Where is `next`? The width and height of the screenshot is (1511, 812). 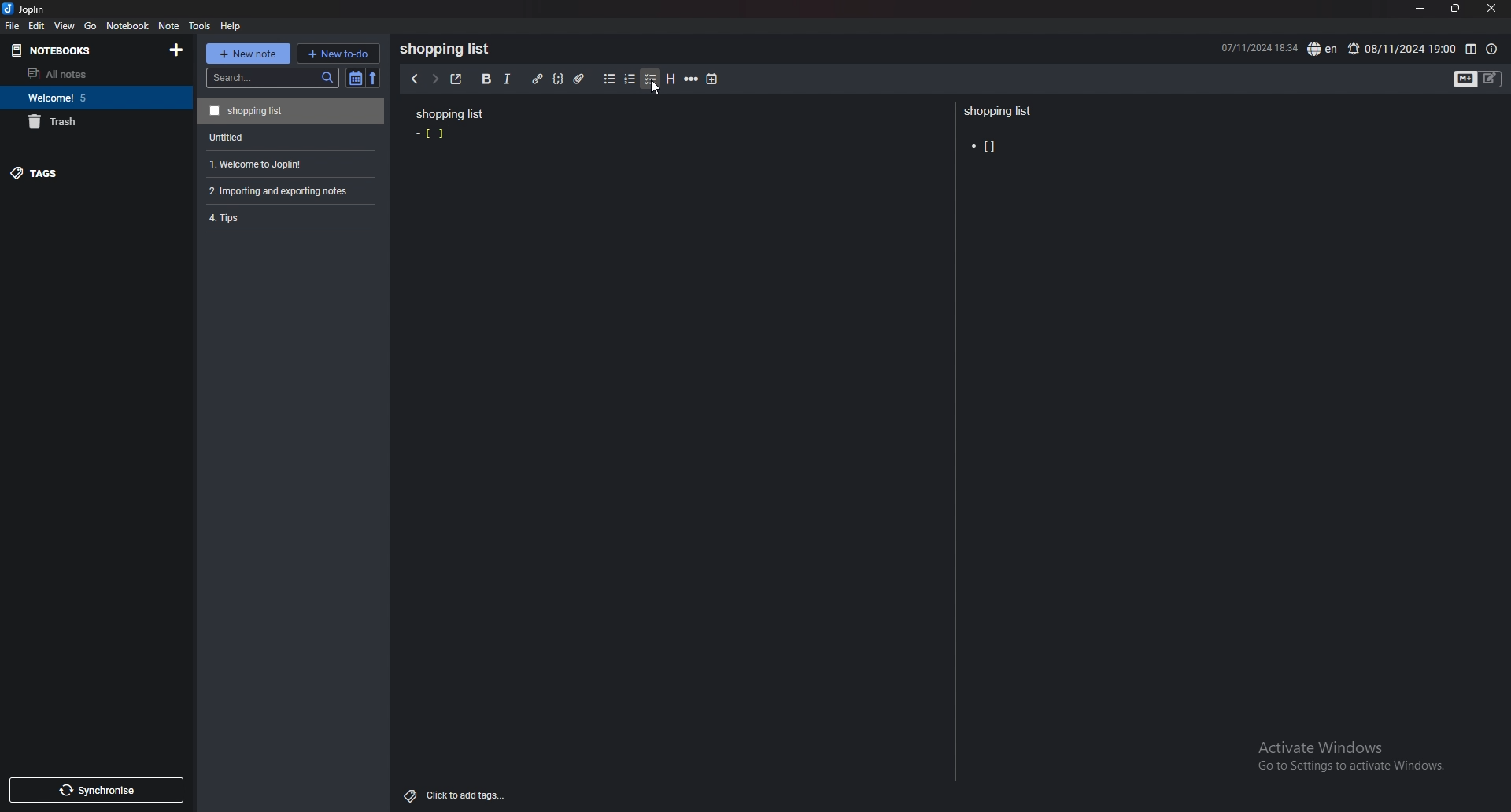
next is located at coordinates (434, 79).